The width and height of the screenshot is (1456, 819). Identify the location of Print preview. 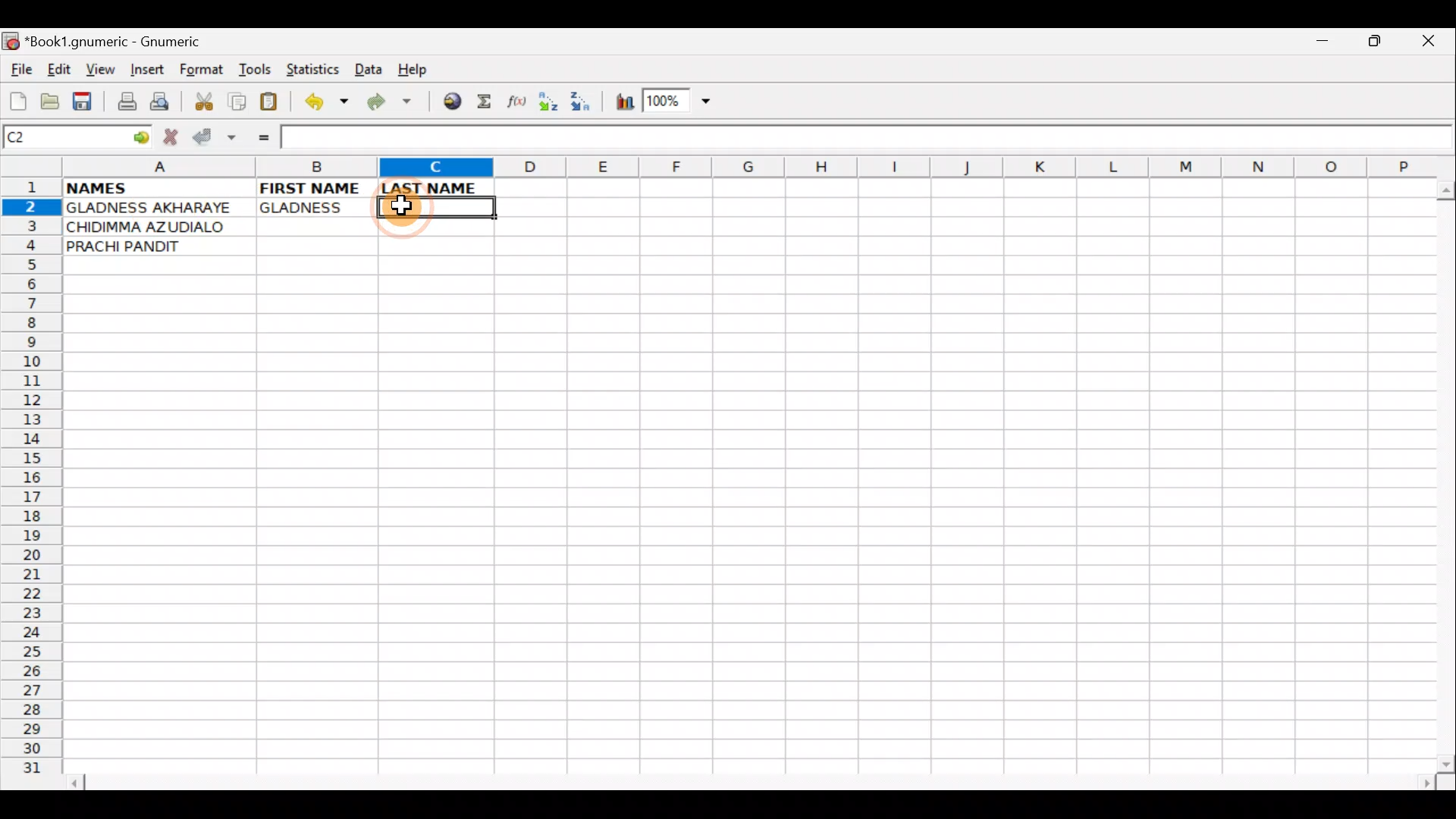
(160, 105).